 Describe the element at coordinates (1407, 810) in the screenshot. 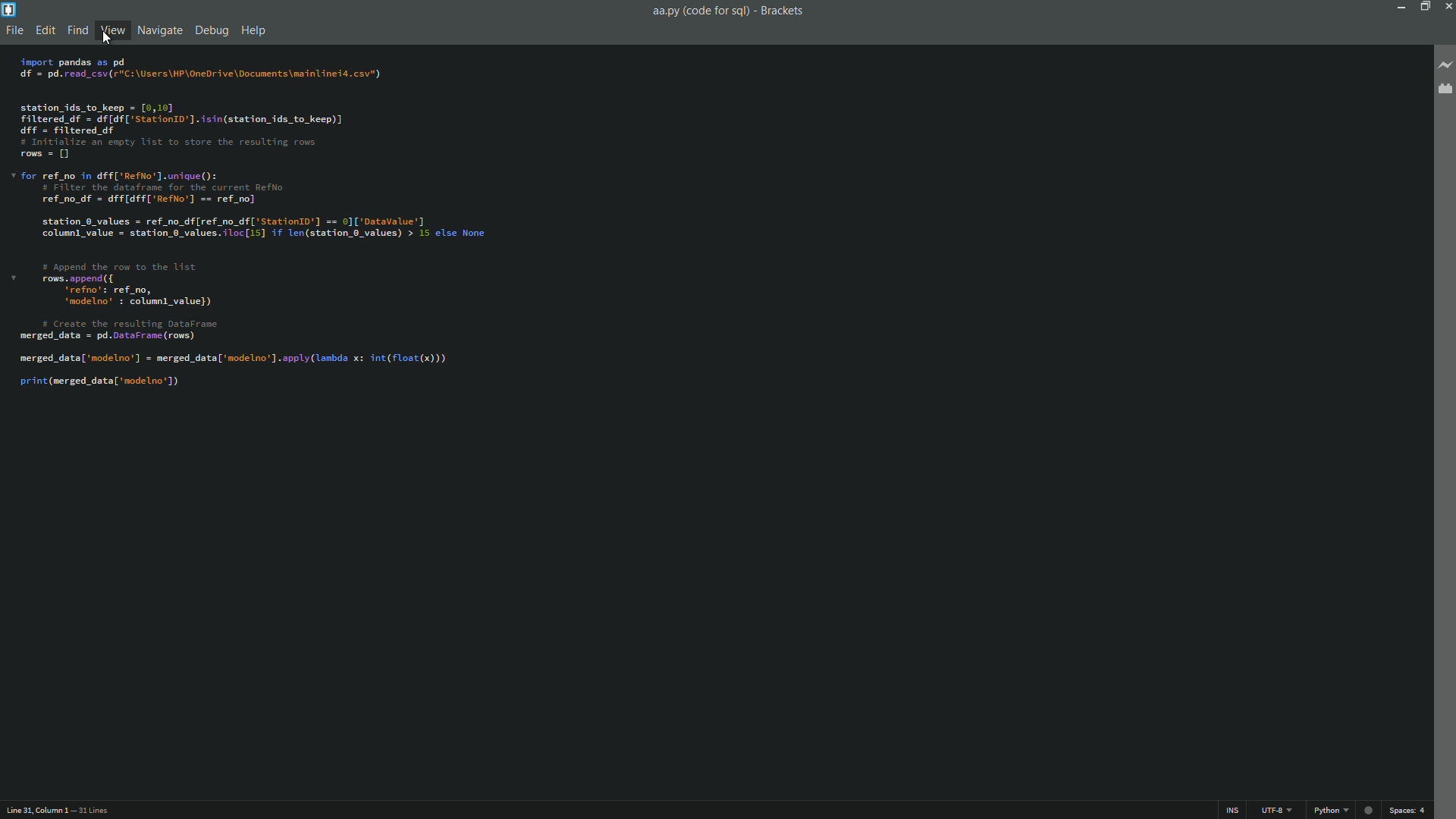

I see `space` at that location.